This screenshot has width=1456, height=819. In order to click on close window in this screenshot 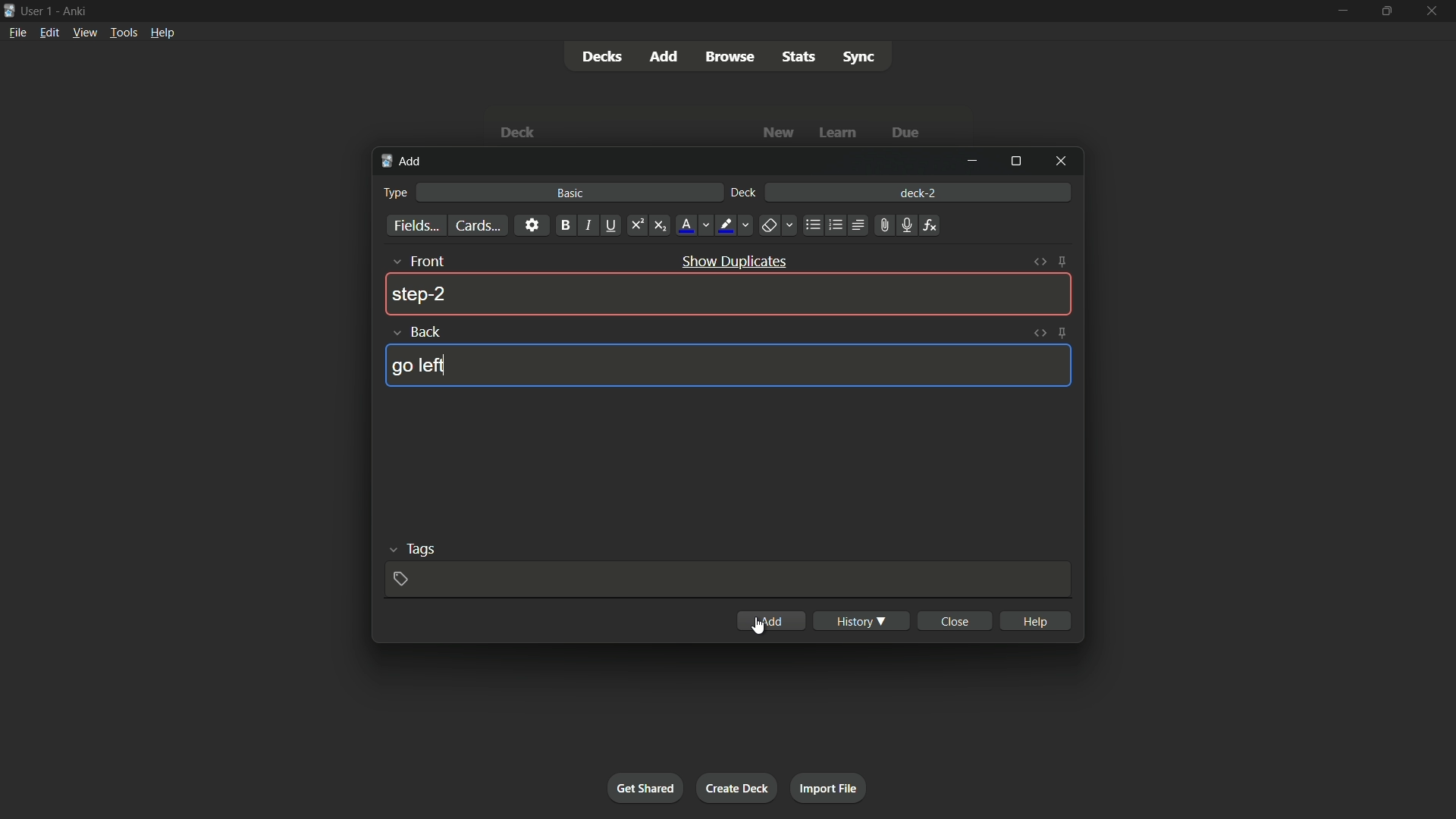, I will do `click(1058, 161)`.